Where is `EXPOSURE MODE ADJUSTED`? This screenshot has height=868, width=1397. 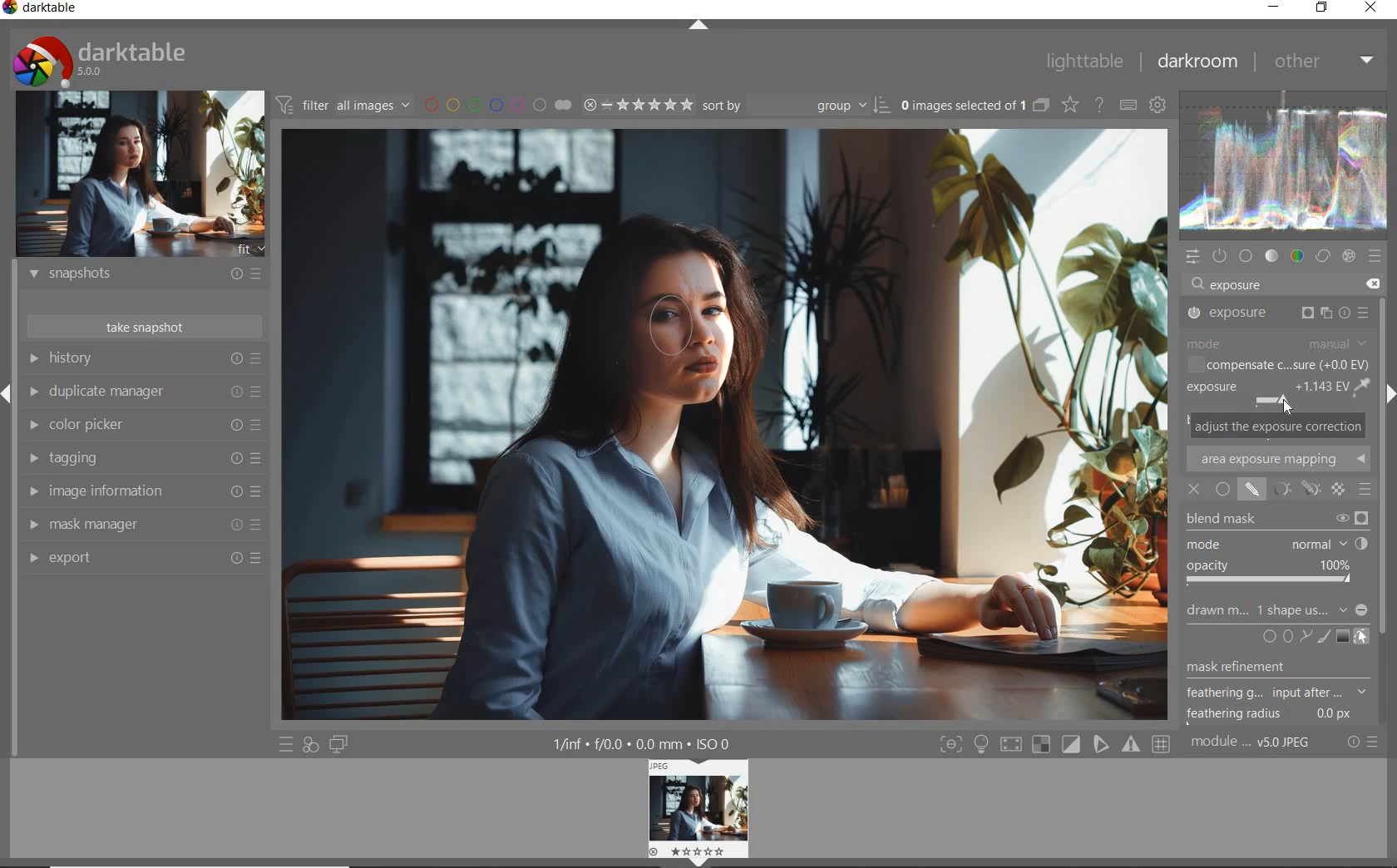
EXPOSURE MODE ADJUSTED is located at coordinates (1267, 393).